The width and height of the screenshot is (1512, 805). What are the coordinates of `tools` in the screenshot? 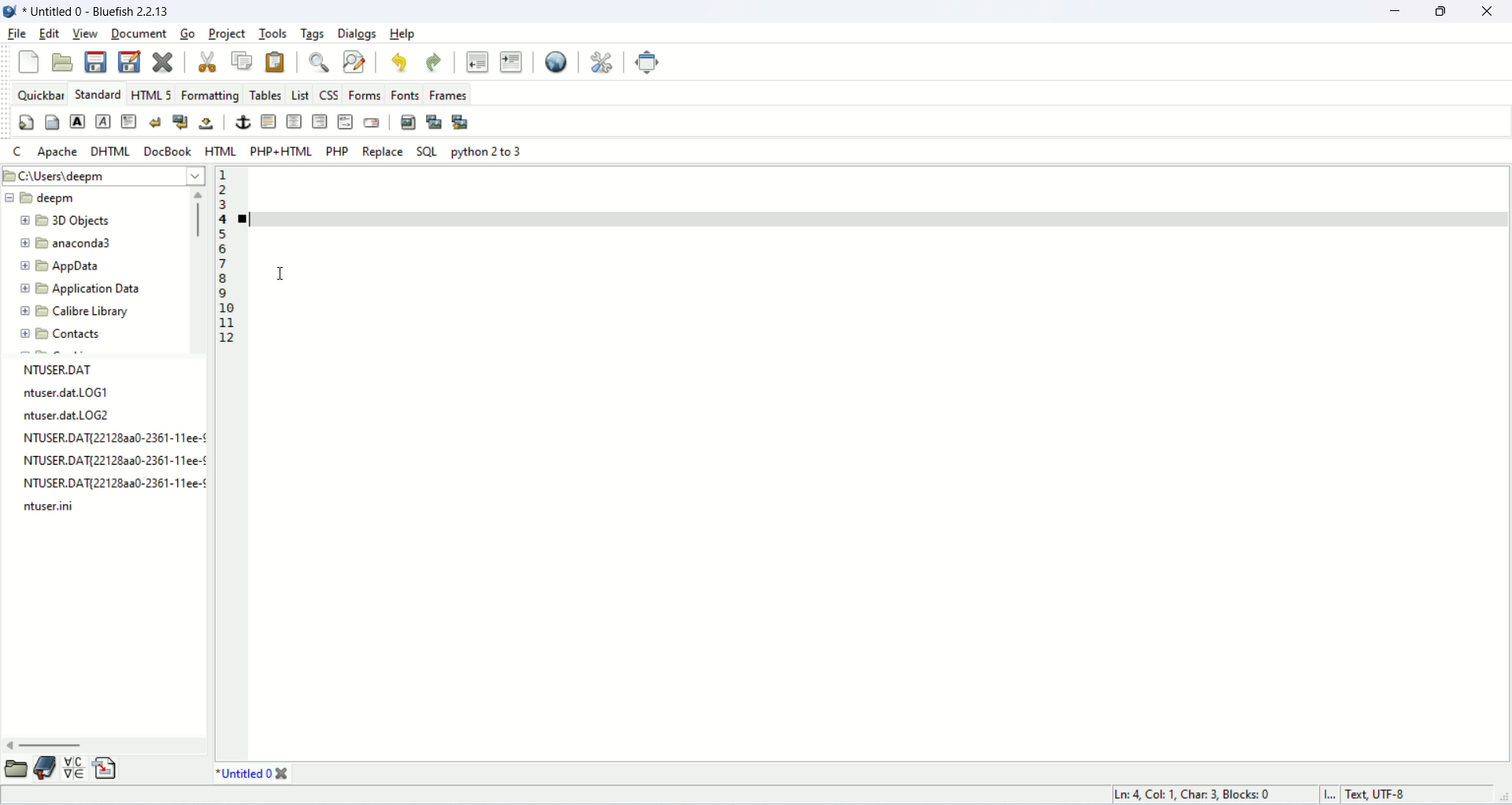 It's located at (272, 35).